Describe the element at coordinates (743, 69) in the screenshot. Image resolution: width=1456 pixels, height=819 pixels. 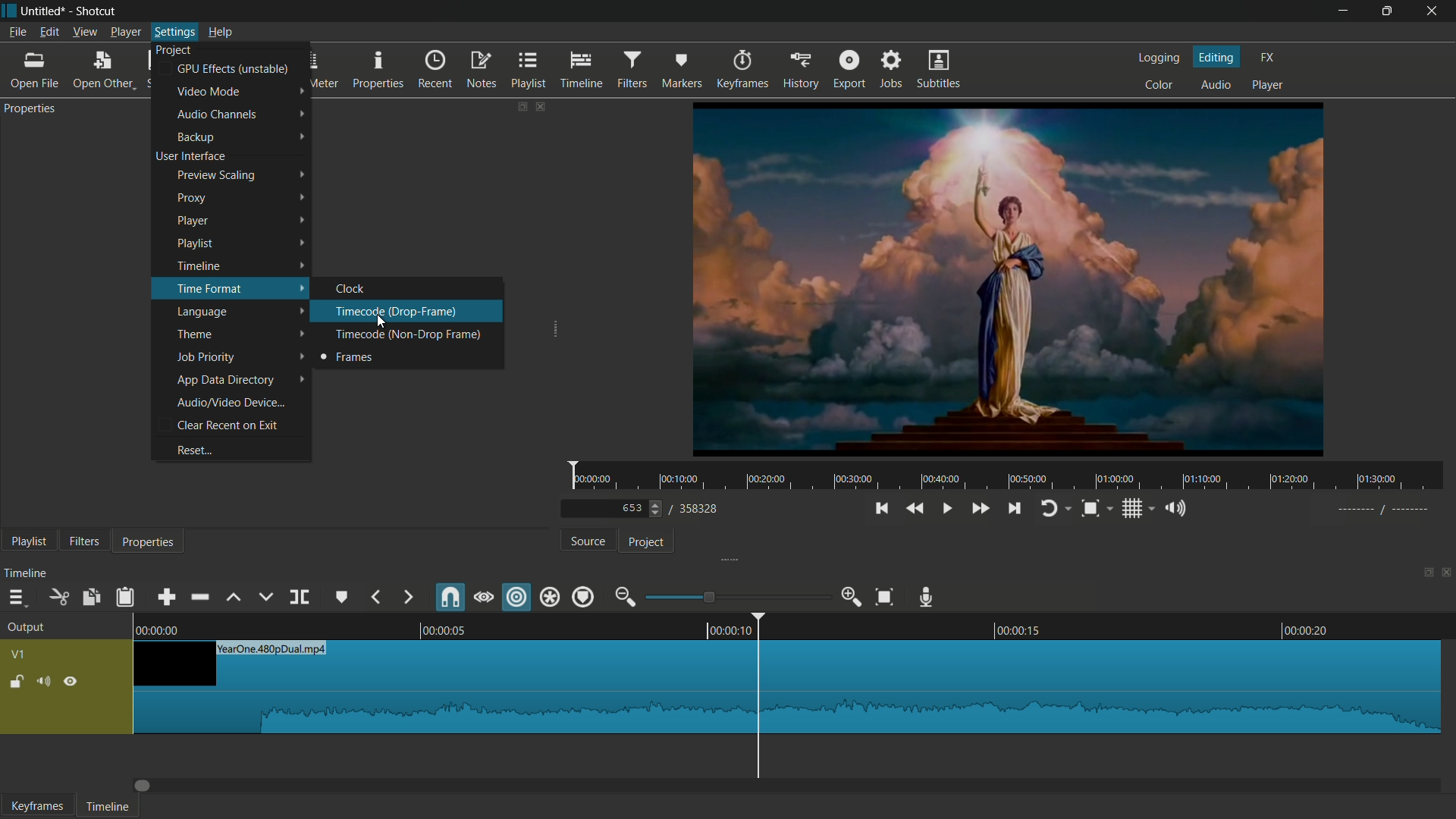
I see `keyframes` at that location.